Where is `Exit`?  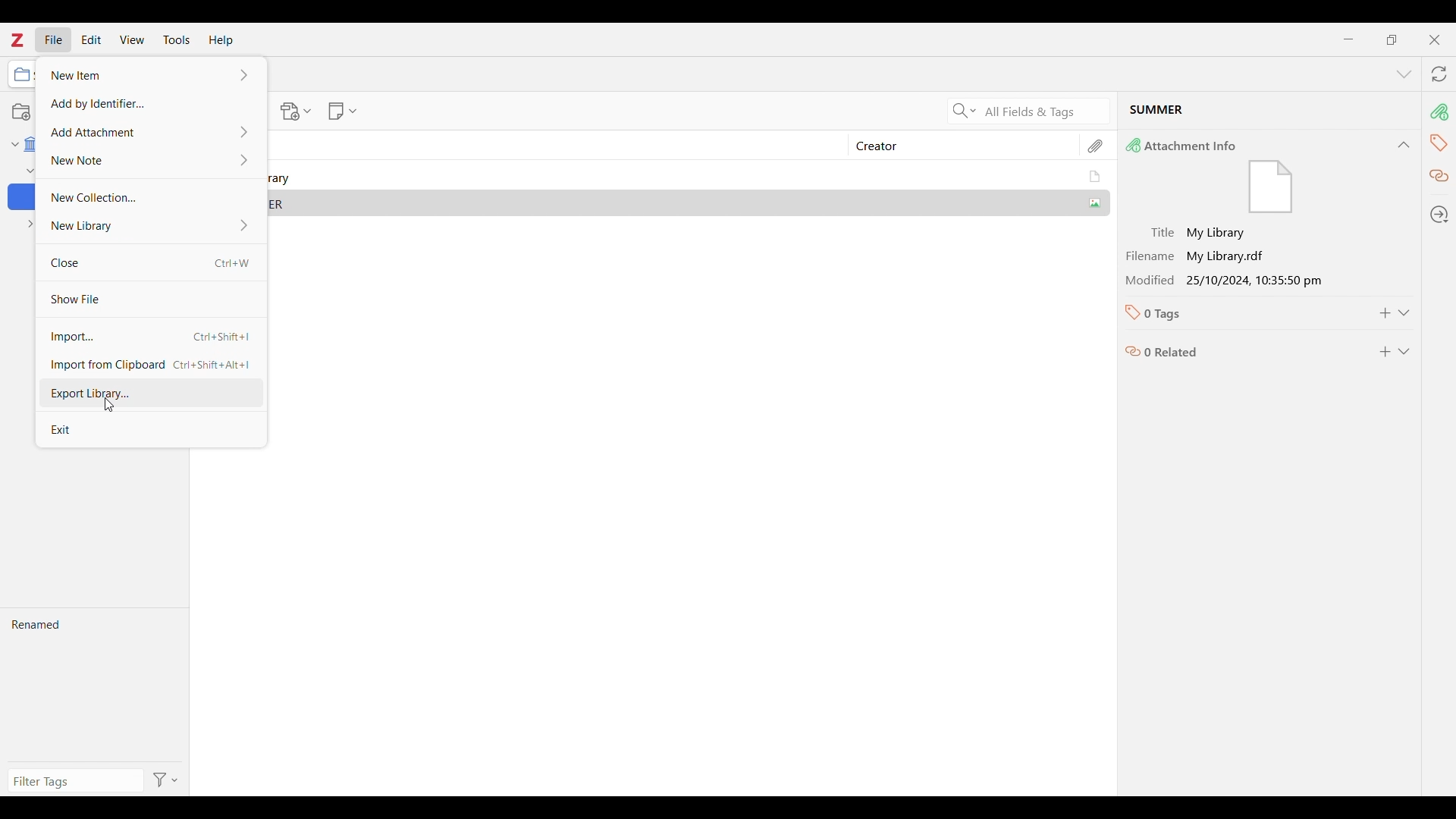
Exit is located at coordinates (151, 428).